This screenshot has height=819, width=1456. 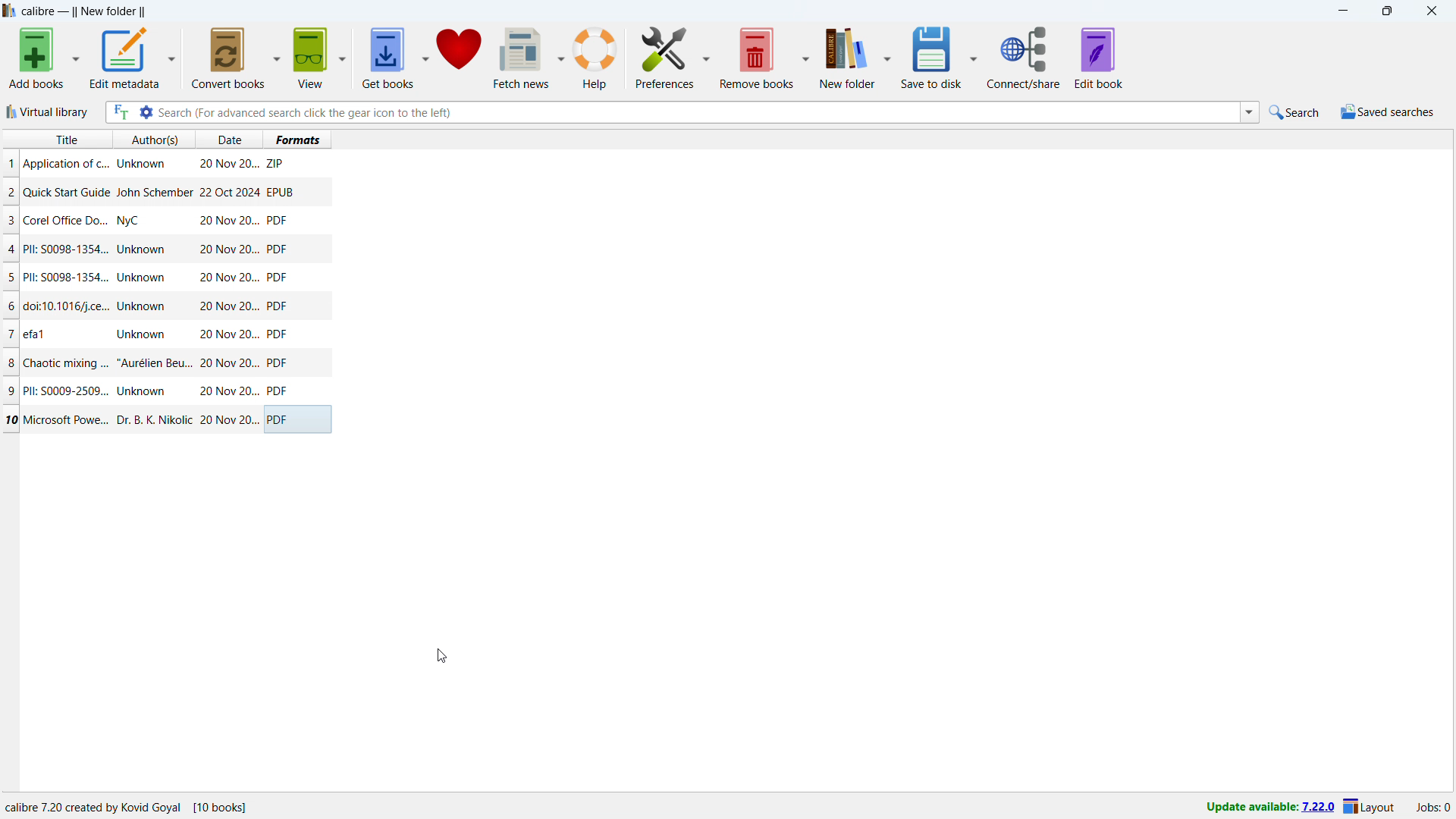 I want to click on PDF, so click(x=280, y=391).